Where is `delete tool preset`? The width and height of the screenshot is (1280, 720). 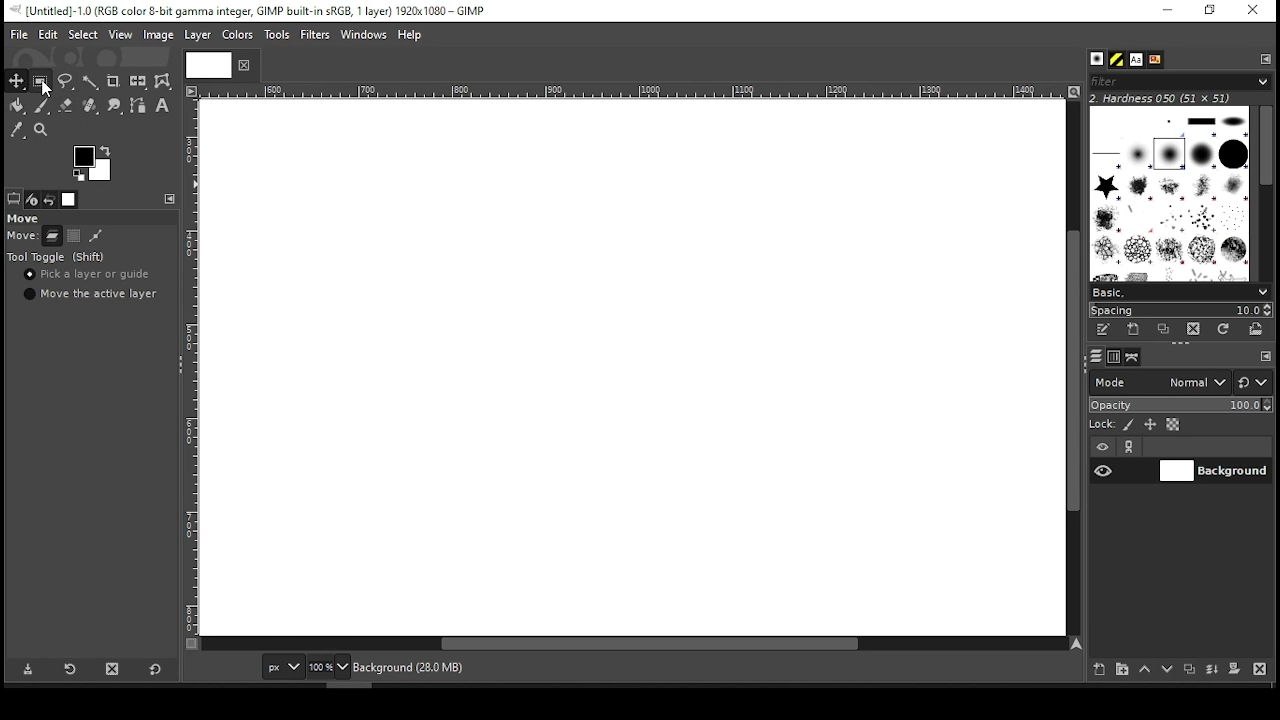 delete tool preset is located at coordinates (118, 668).